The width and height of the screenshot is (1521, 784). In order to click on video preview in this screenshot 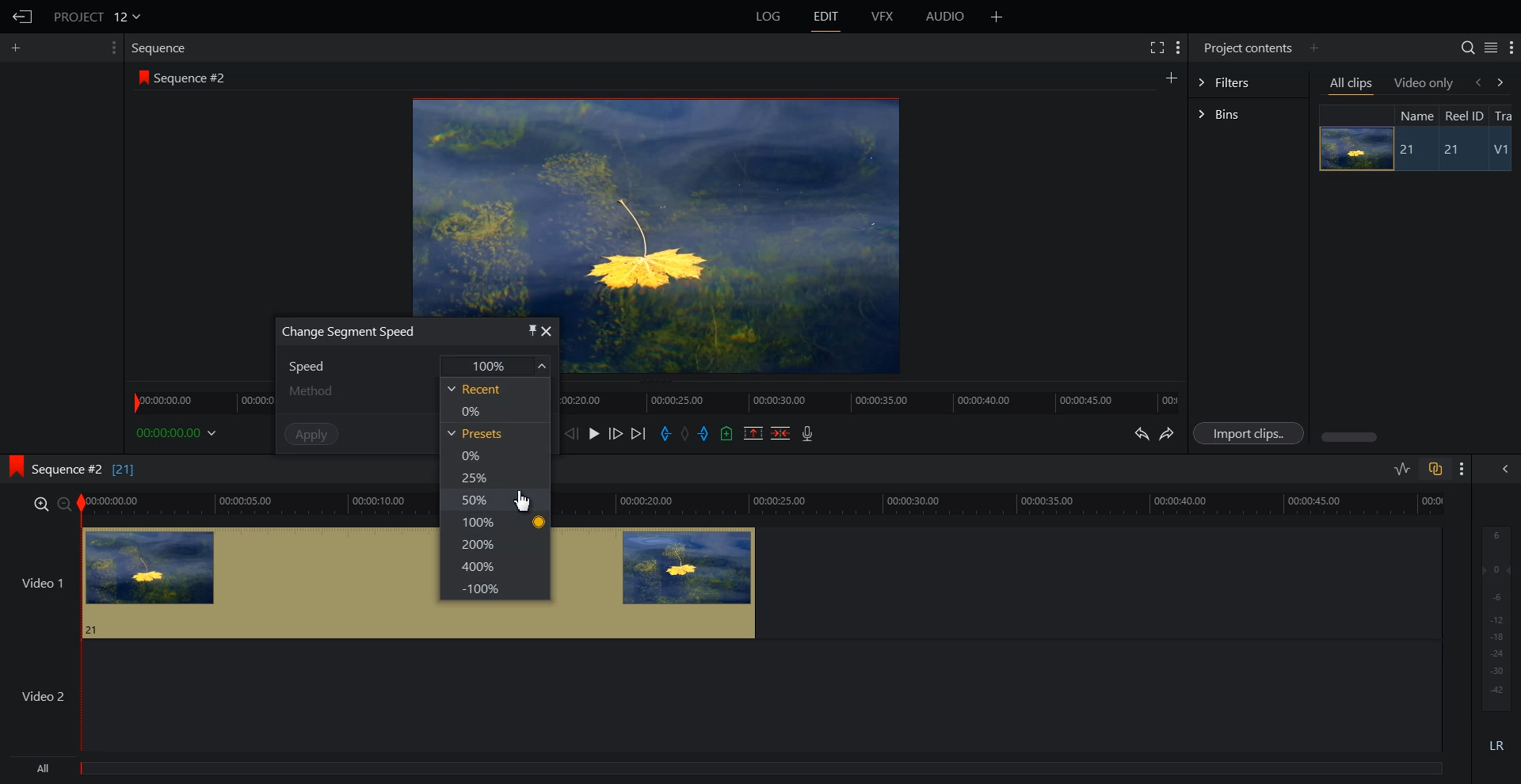, I will do `click(733, 345)`.